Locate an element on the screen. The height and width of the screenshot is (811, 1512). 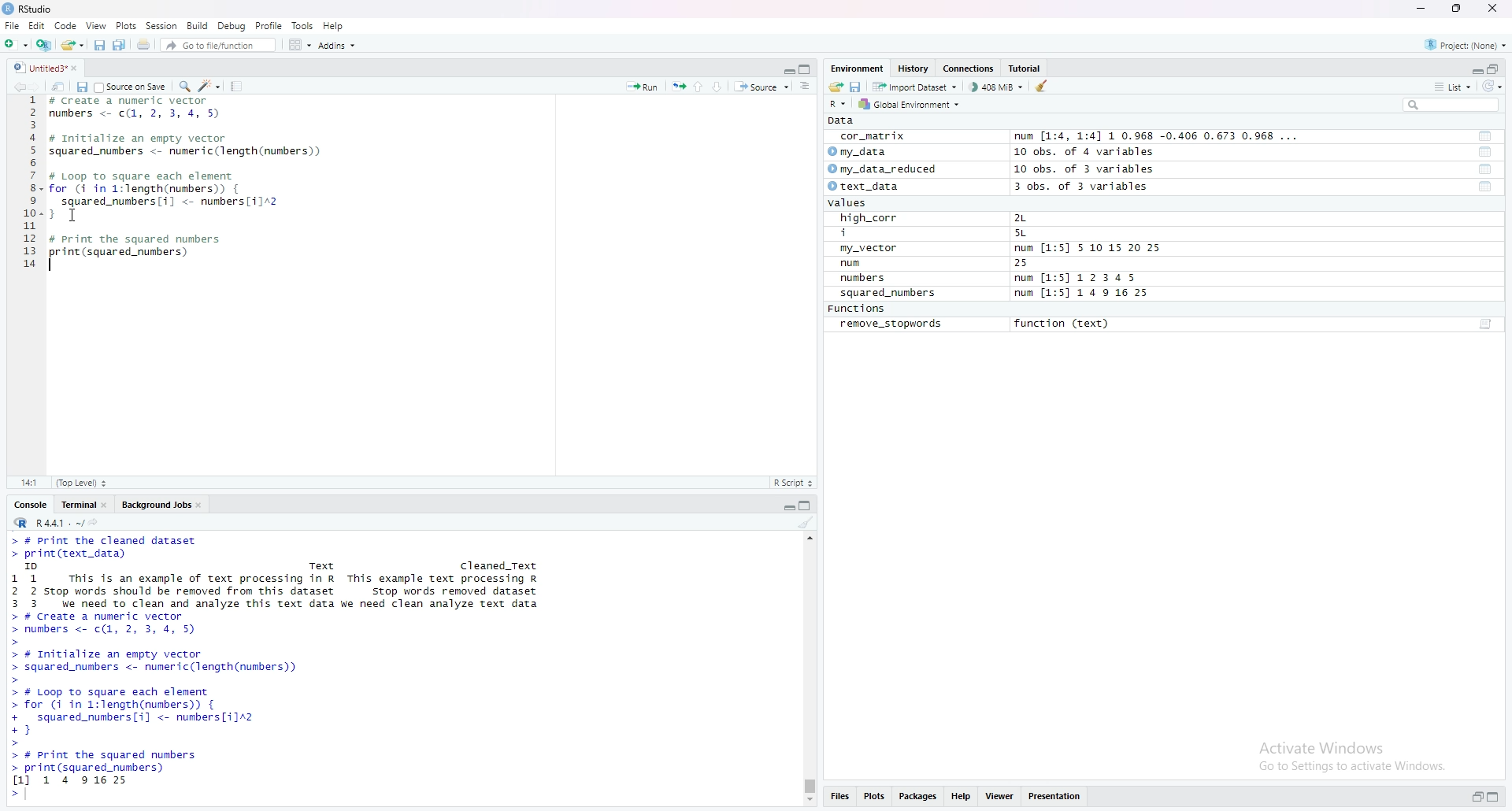
scrollbar up is located at coordinates (808, 536).